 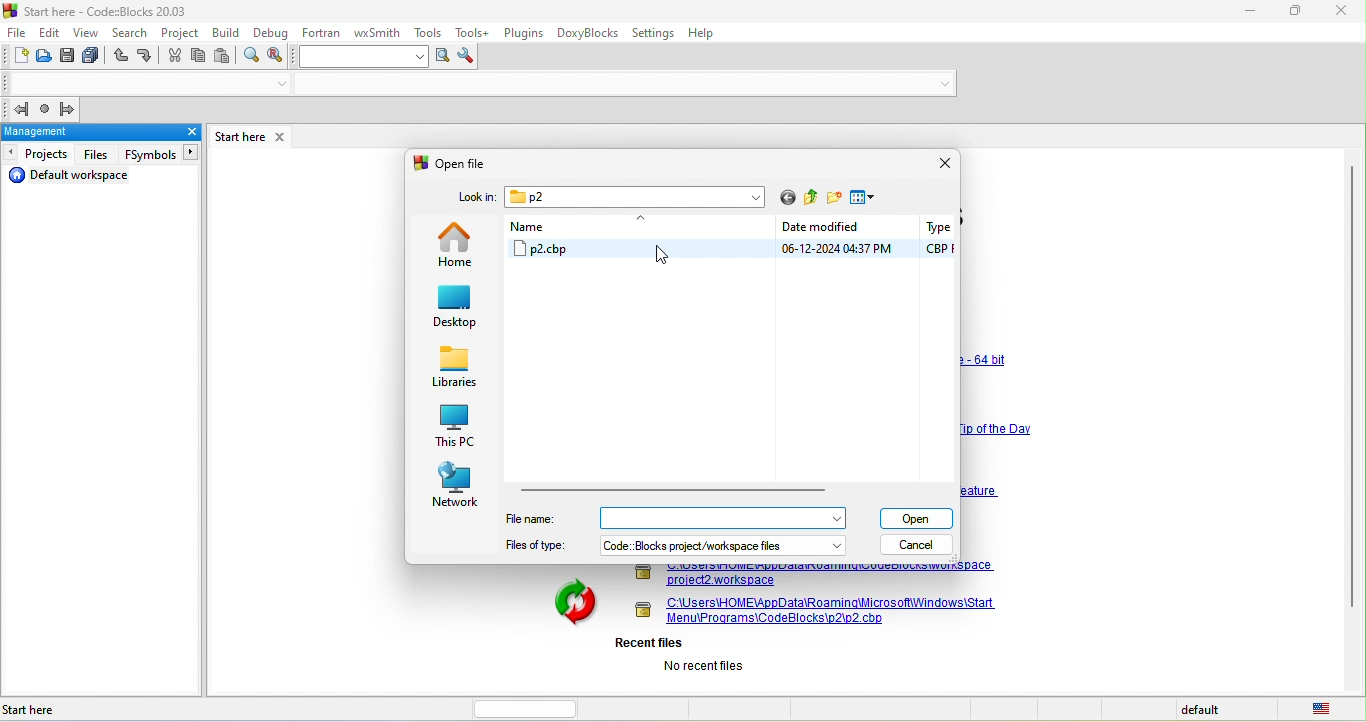 I want to click on doxyblocks, so click(x=589, y=35).